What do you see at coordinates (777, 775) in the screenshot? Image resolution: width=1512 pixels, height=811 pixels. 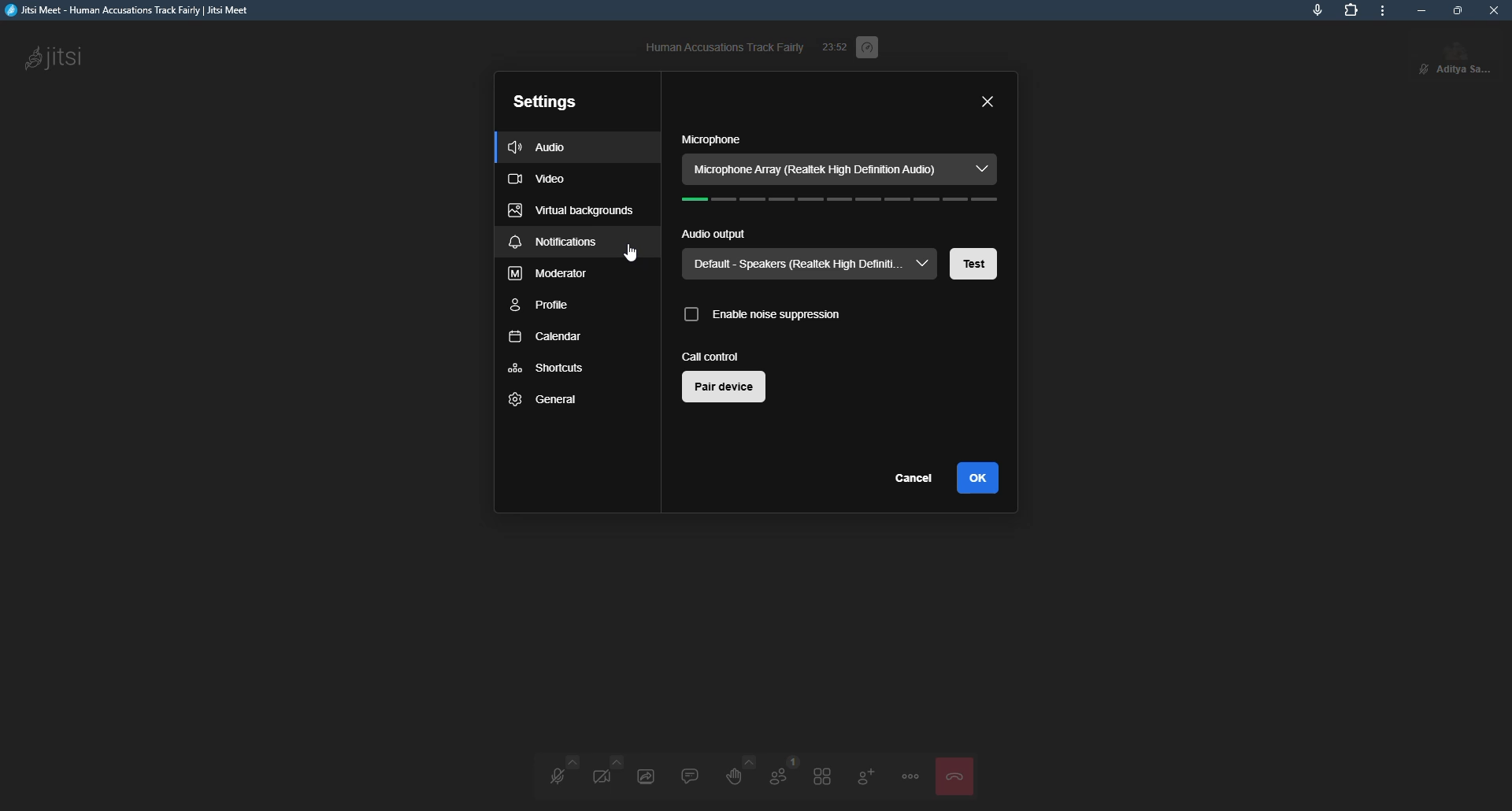 I see `participants` at bounding box center [777, 775].